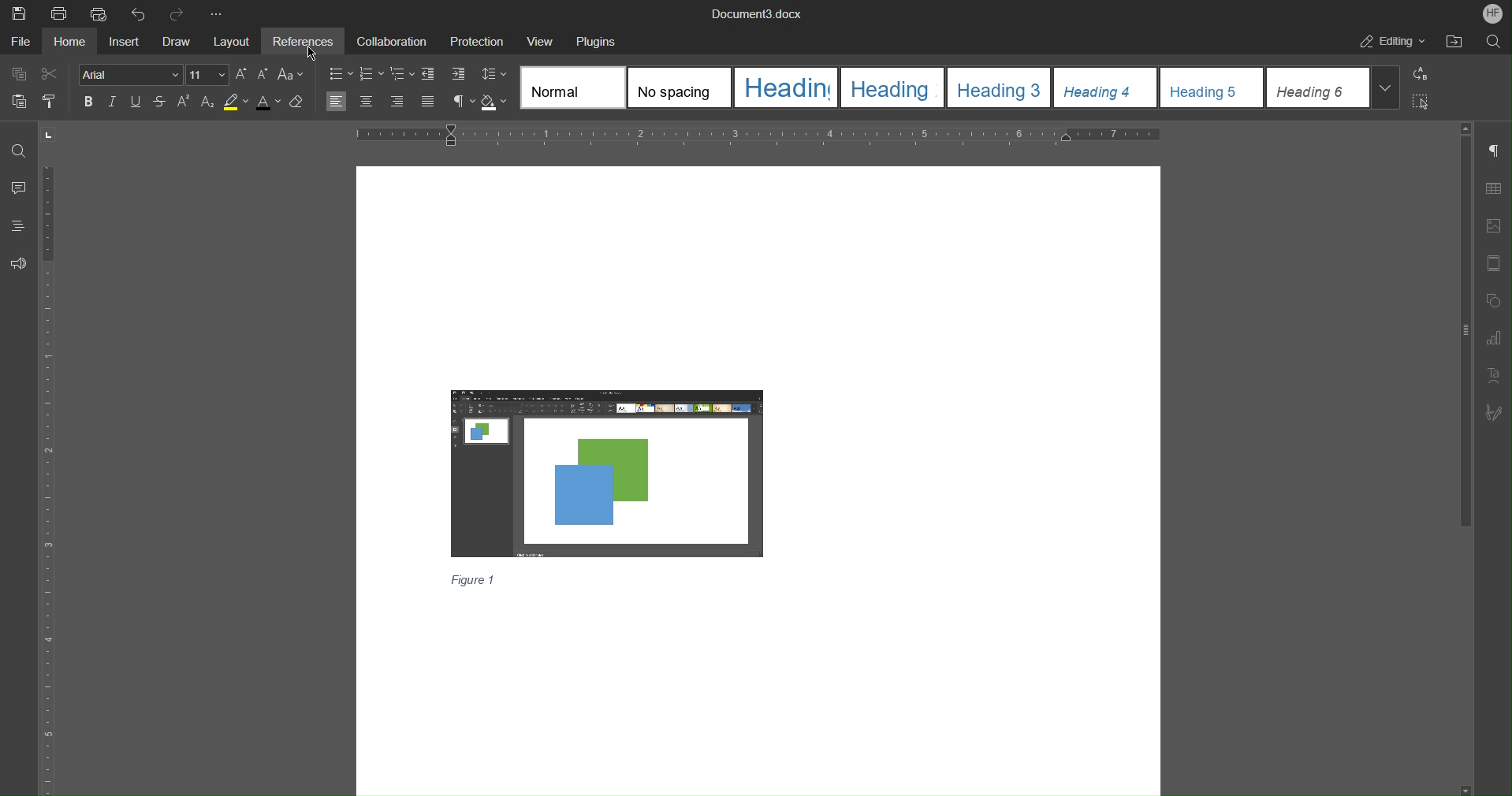  What do you see at coordinates (755, 13) in the screenshot?
I see `Document3.docx(Document Title)` at bounding box center [755, 13].